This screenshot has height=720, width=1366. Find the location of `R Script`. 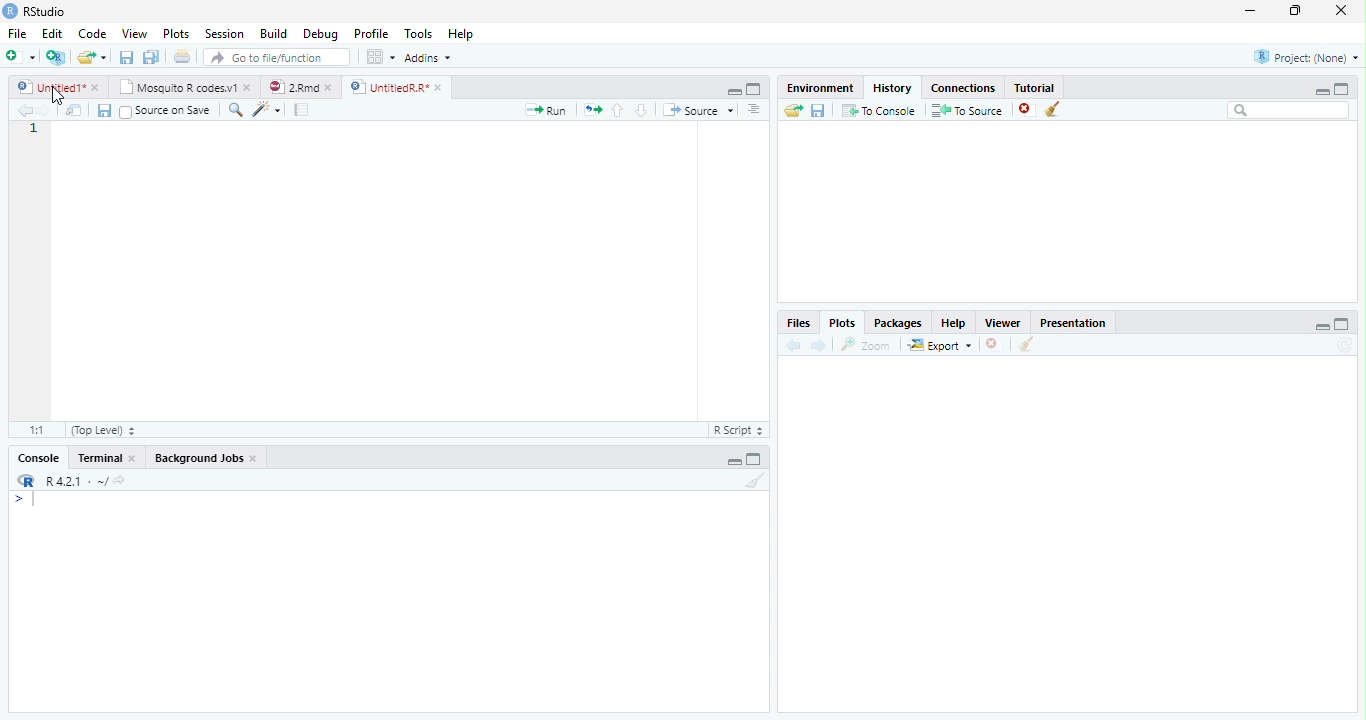

R Script is located at coordinates (741, 430).